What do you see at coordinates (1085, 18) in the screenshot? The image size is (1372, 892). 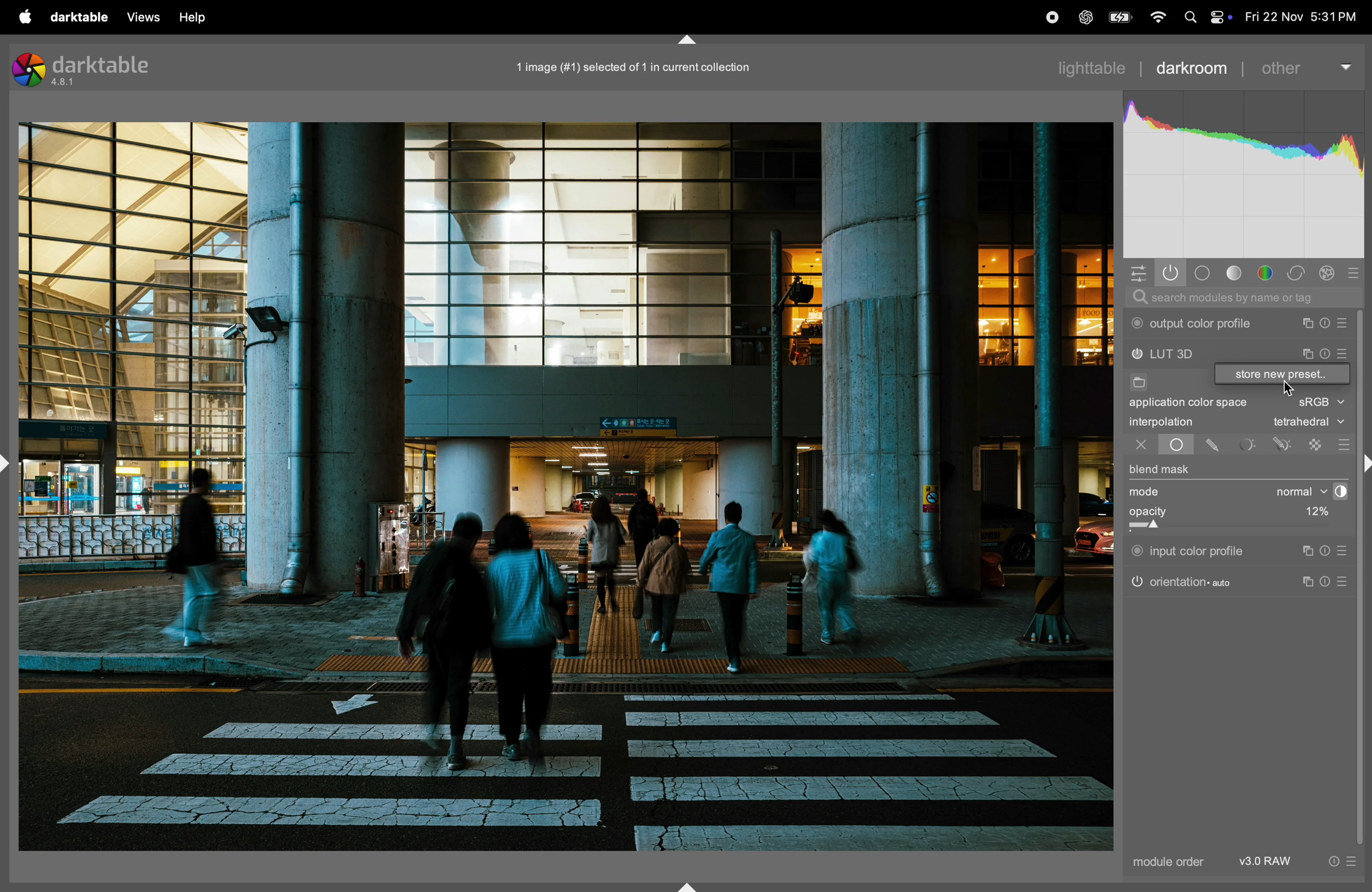 I see `chatgpt` at bounding box center [1085, 18].